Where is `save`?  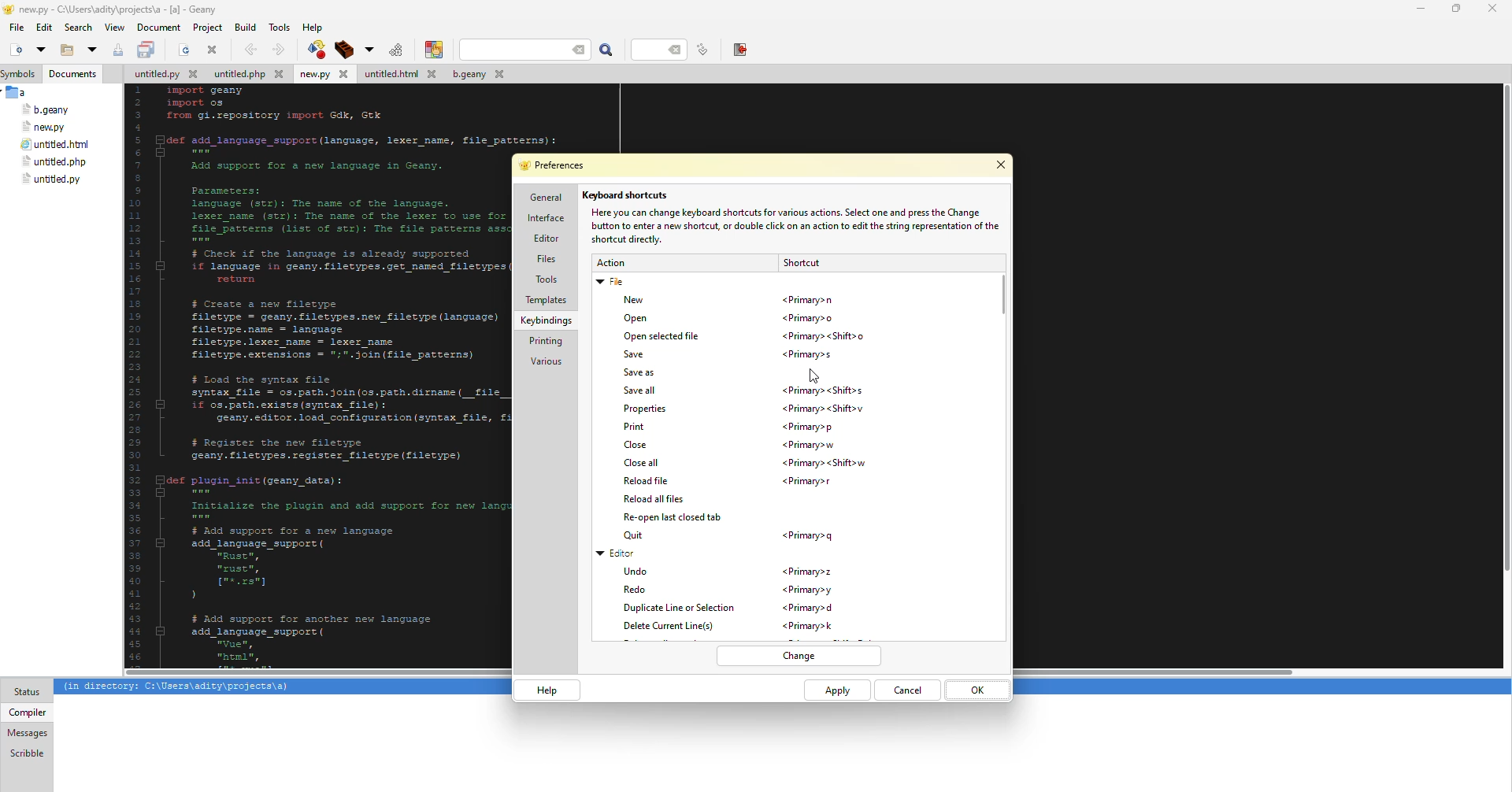 save is located at coordinates (633, 355).